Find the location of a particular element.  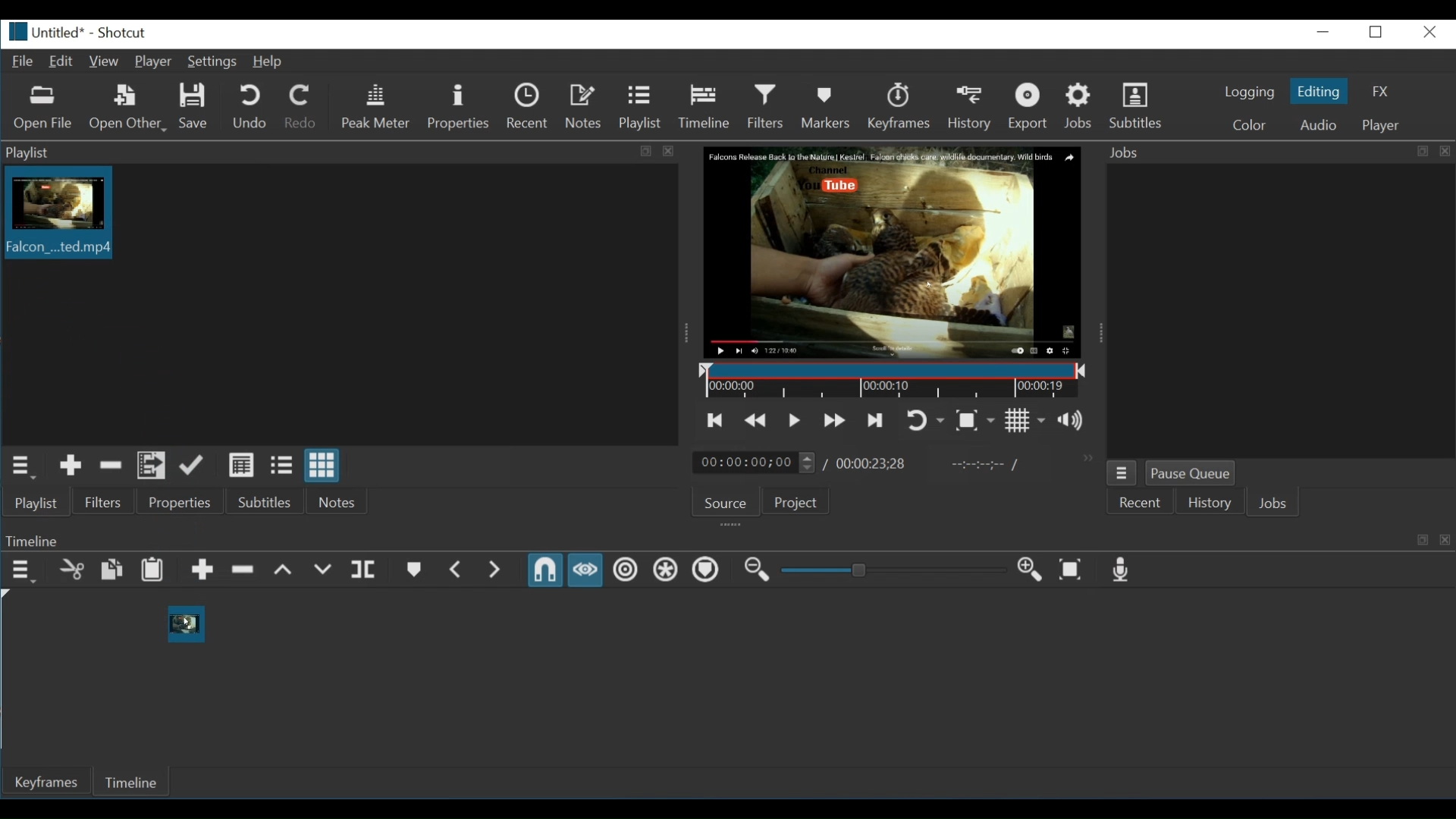

logging is located at coordinates (1250, 93).